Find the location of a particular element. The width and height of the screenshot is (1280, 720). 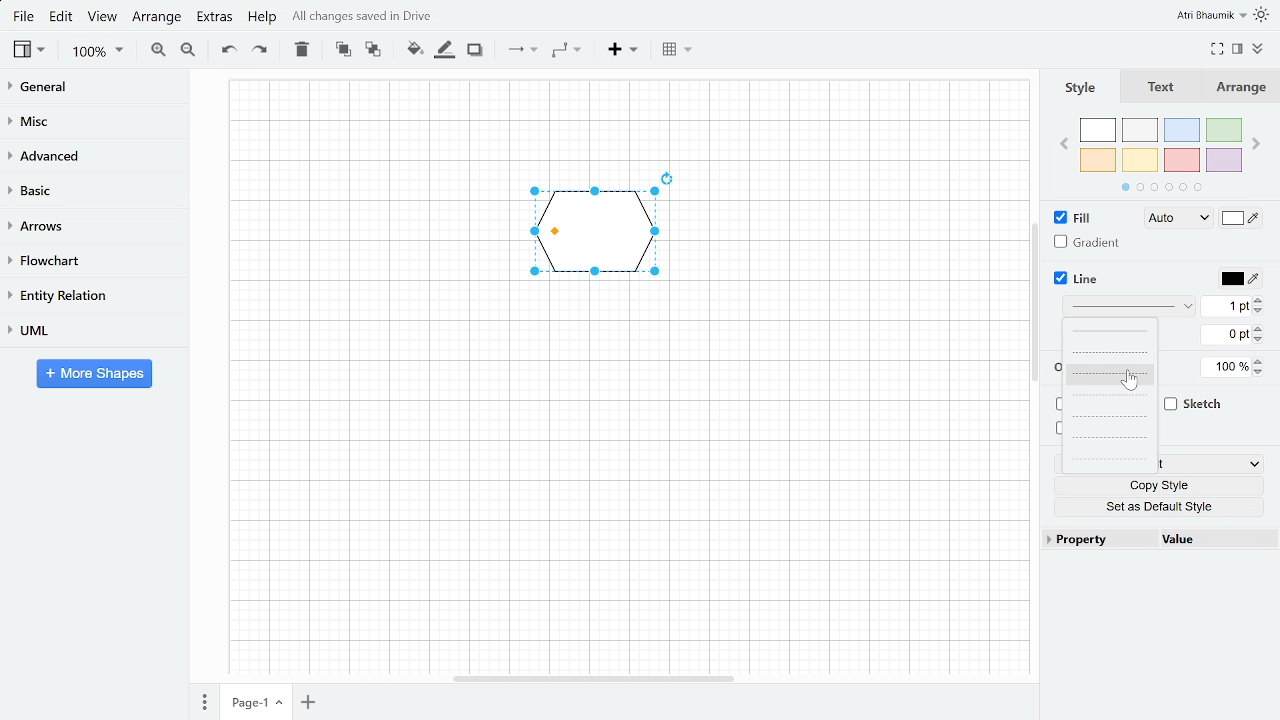

Dashed 3  is located at coordinates (1110, 395).